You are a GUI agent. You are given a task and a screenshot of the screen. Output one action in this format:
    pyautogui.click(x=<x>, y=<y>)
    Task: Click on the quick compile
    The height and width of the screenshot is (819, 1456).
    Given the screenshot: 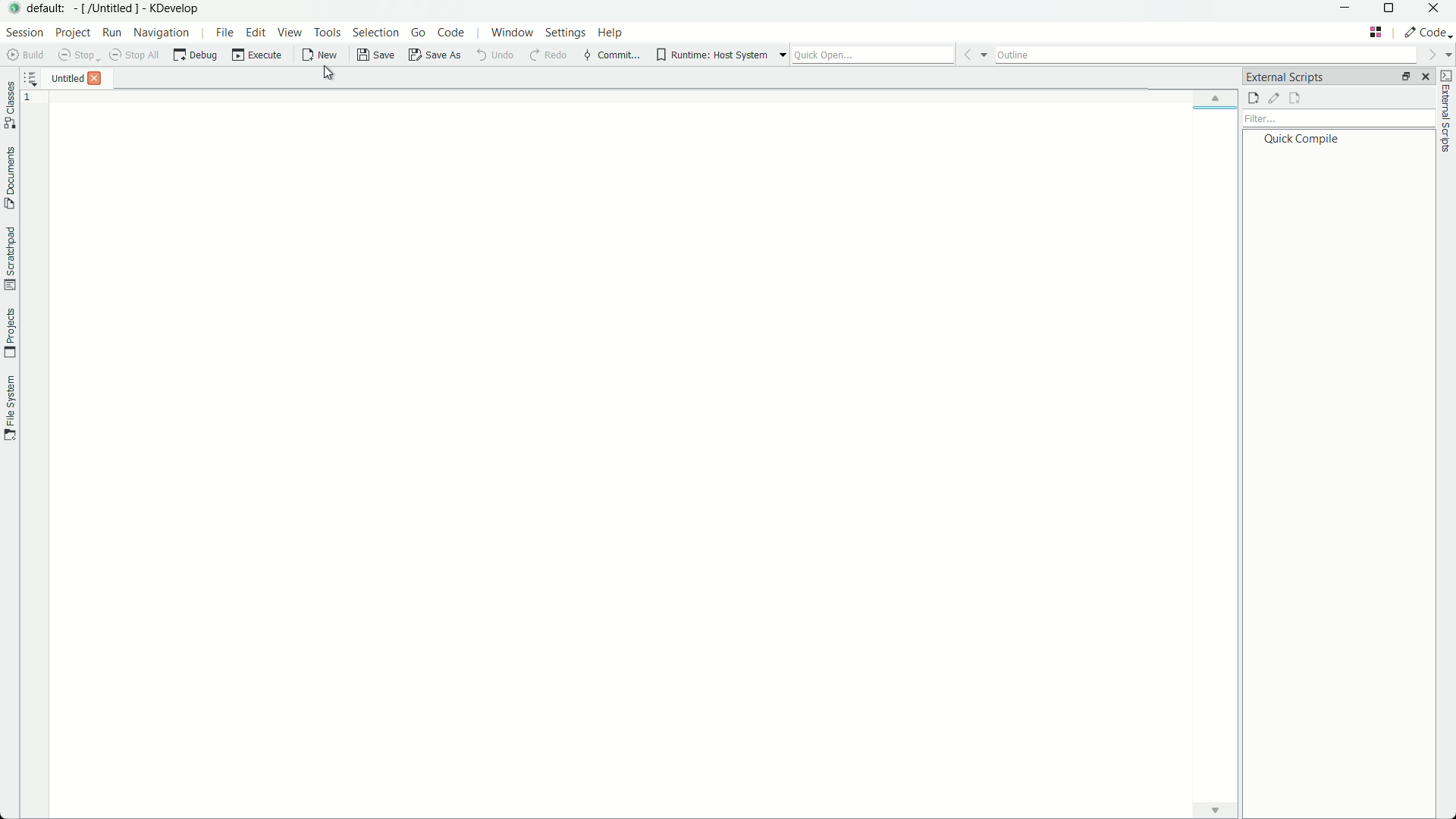 What is the action you would take?
    pyautogui.click(x=1307, y=140)
    